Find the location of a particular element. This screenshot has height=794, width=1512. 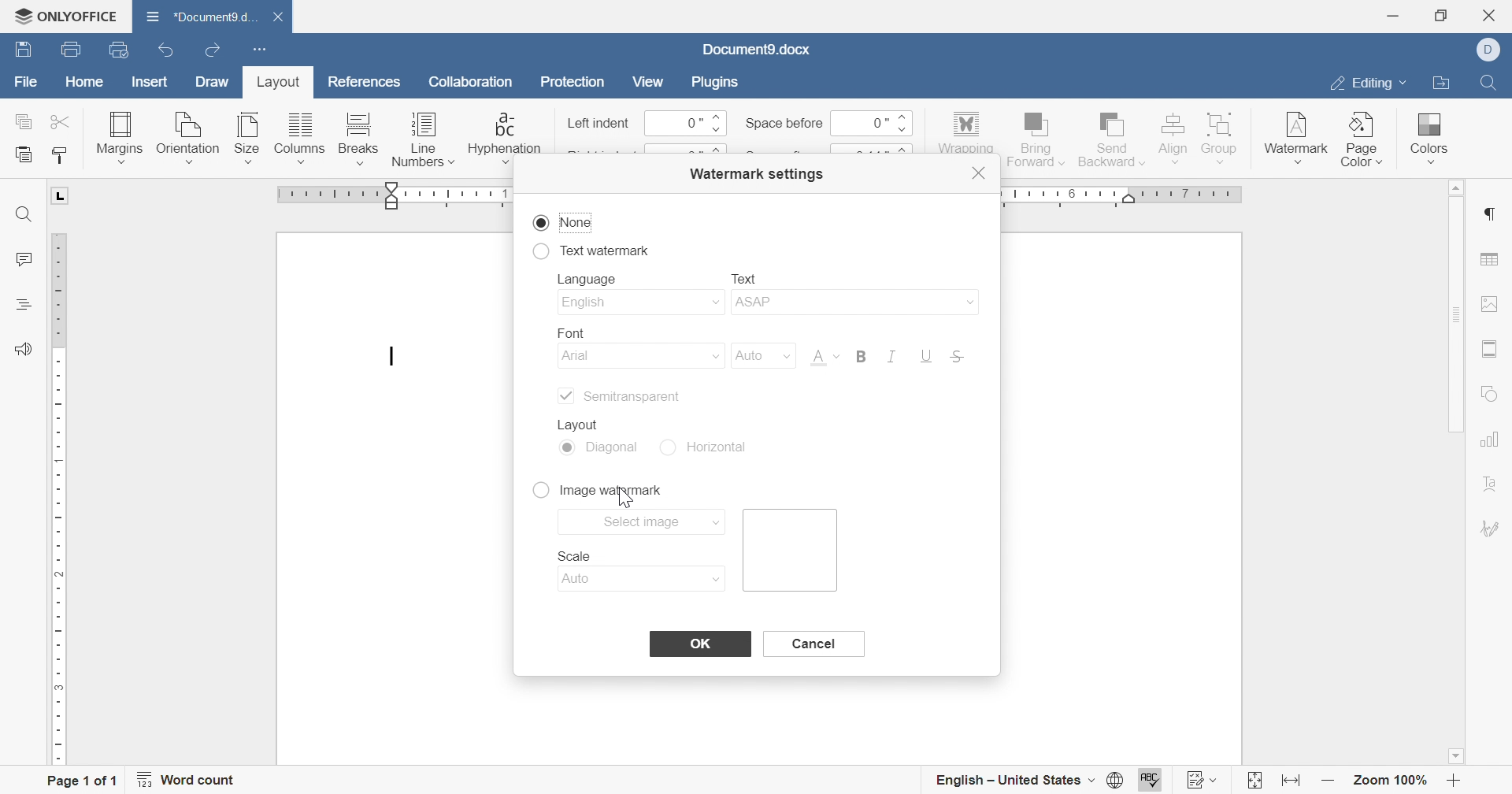

comments is located at coordinates (21, 260).